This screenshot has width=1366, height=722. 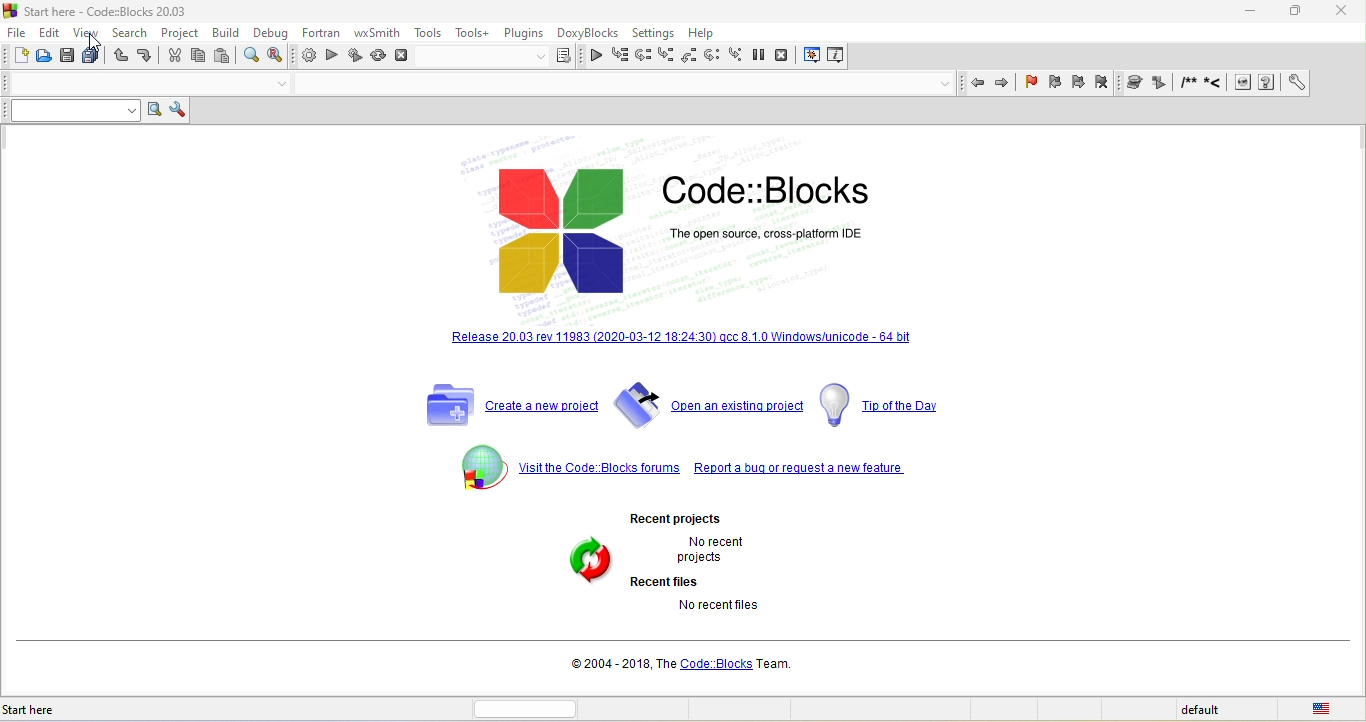 I want to click on open preference, so click(x=1294, y=83).